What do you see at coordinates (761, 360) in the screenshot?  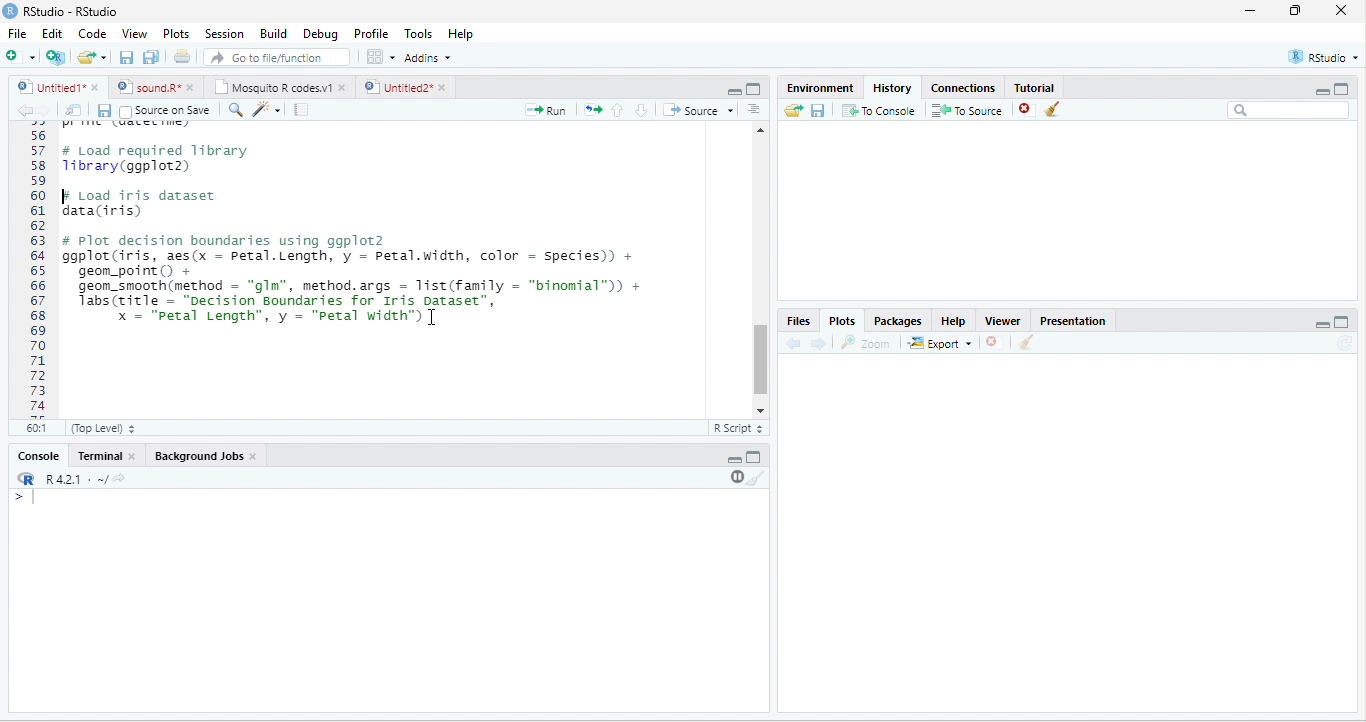 I see `scroll bar` at bounding box center [761, 360].